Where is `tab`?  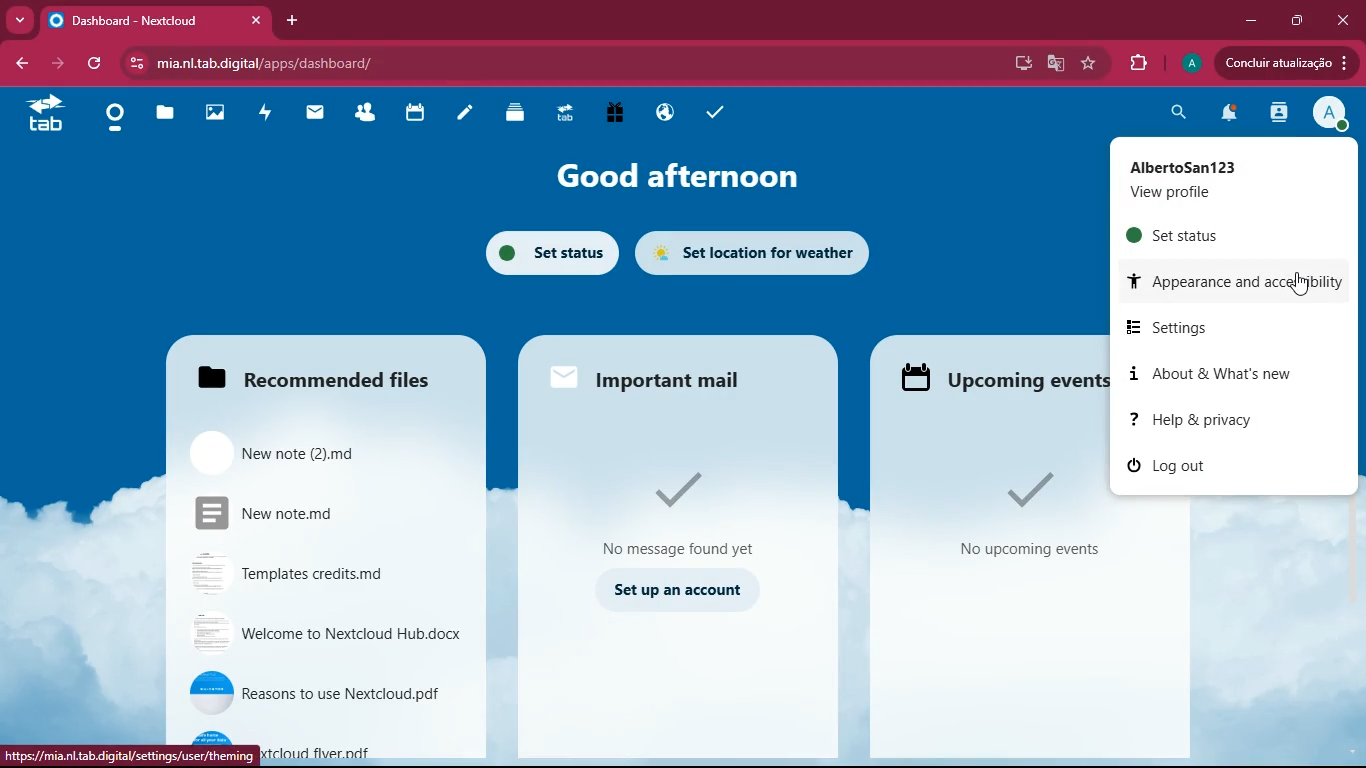 tab is located at coordinates (567, 114).